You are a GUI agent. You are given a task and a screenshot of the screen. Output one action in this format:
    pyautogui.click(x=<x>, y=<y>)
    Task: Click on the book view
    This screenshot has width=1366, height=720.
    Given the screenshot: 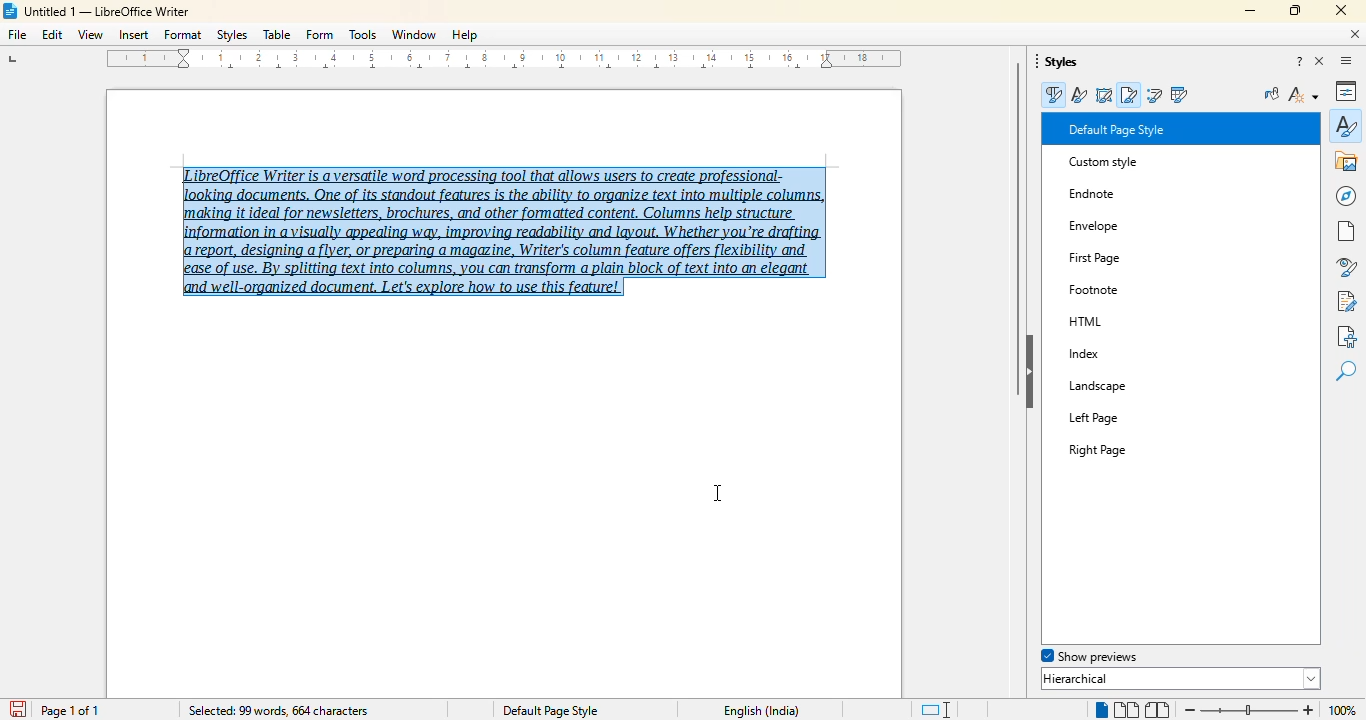 What is the action you would take?
    pyautogui.click(x=1157, y=710)
    